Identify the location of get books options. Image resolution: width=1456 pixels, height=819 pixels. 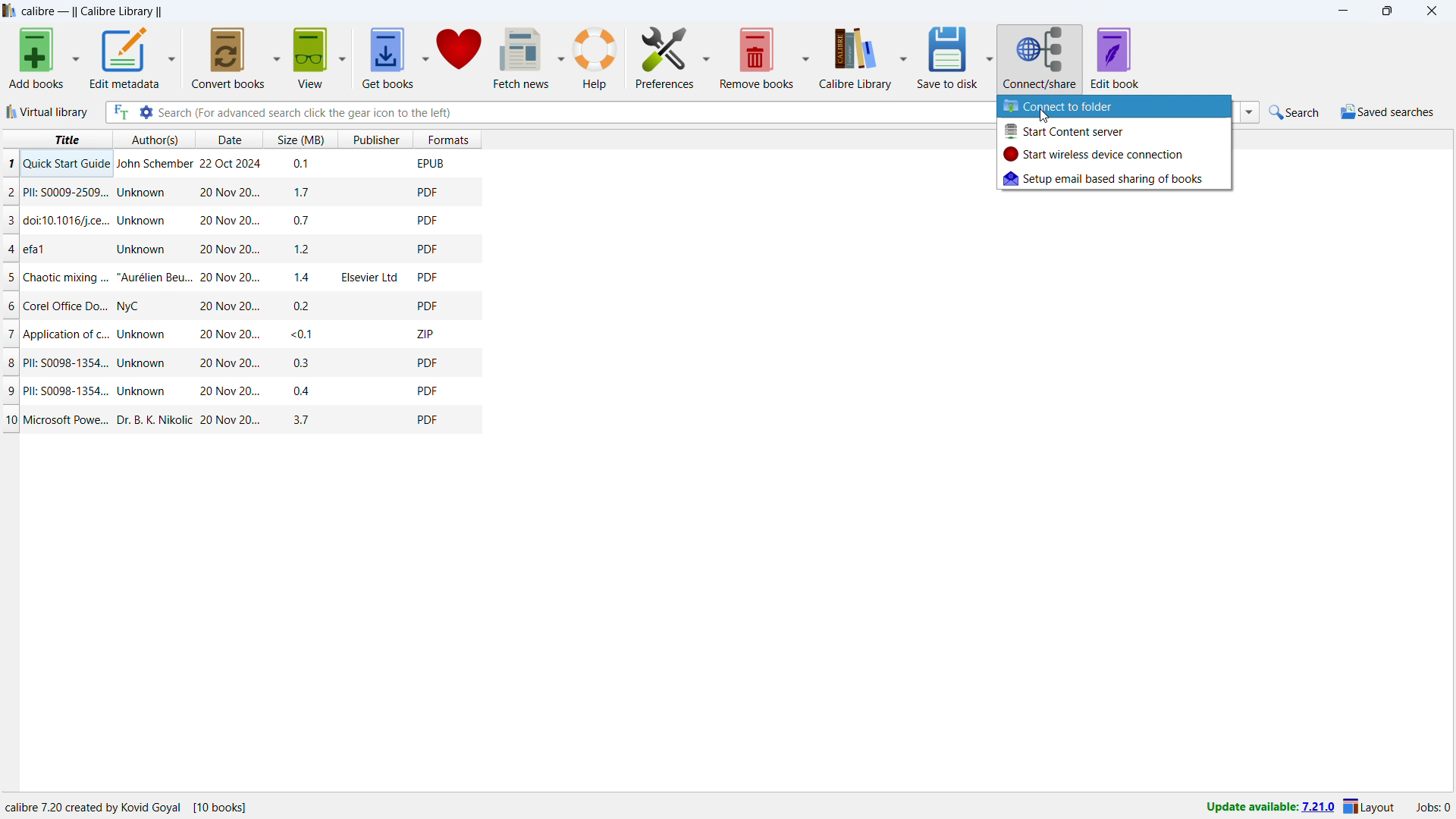
(426, 58).